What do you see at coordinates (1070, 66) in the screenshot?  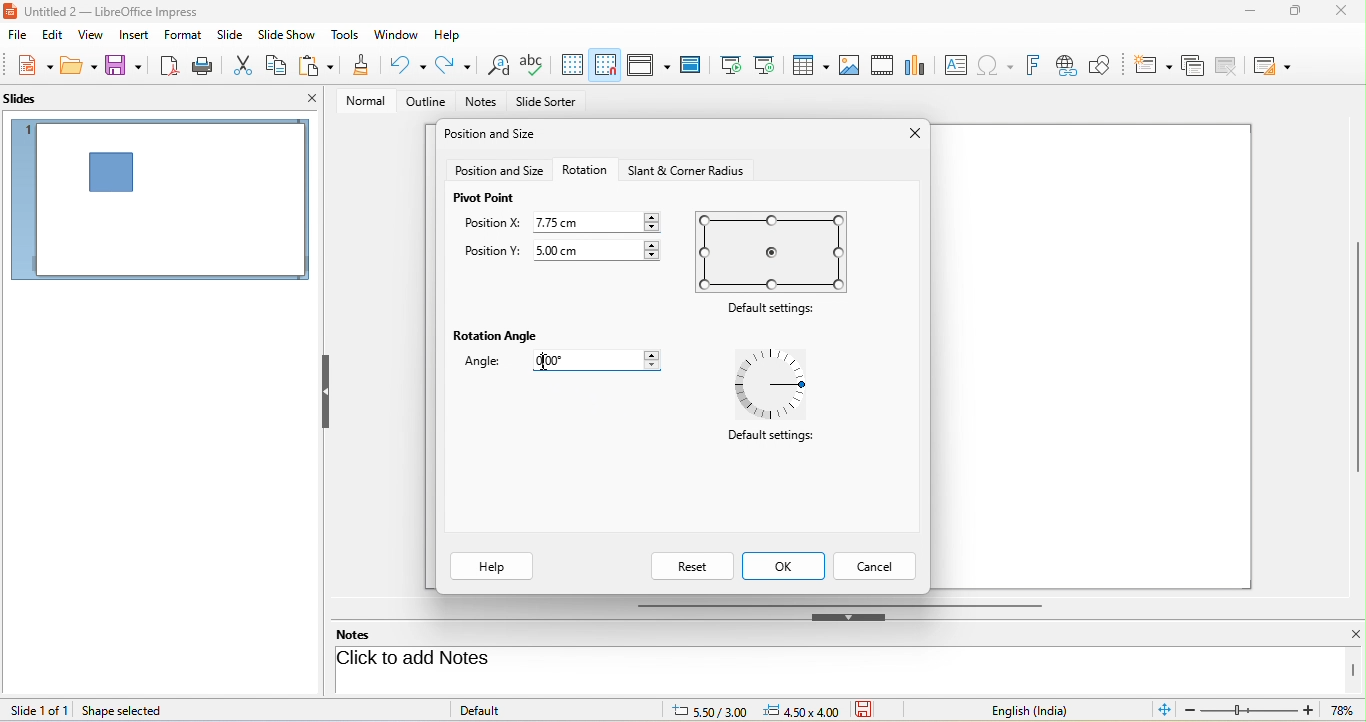 I see `hyperlink` at bounding box center [1070, 66].